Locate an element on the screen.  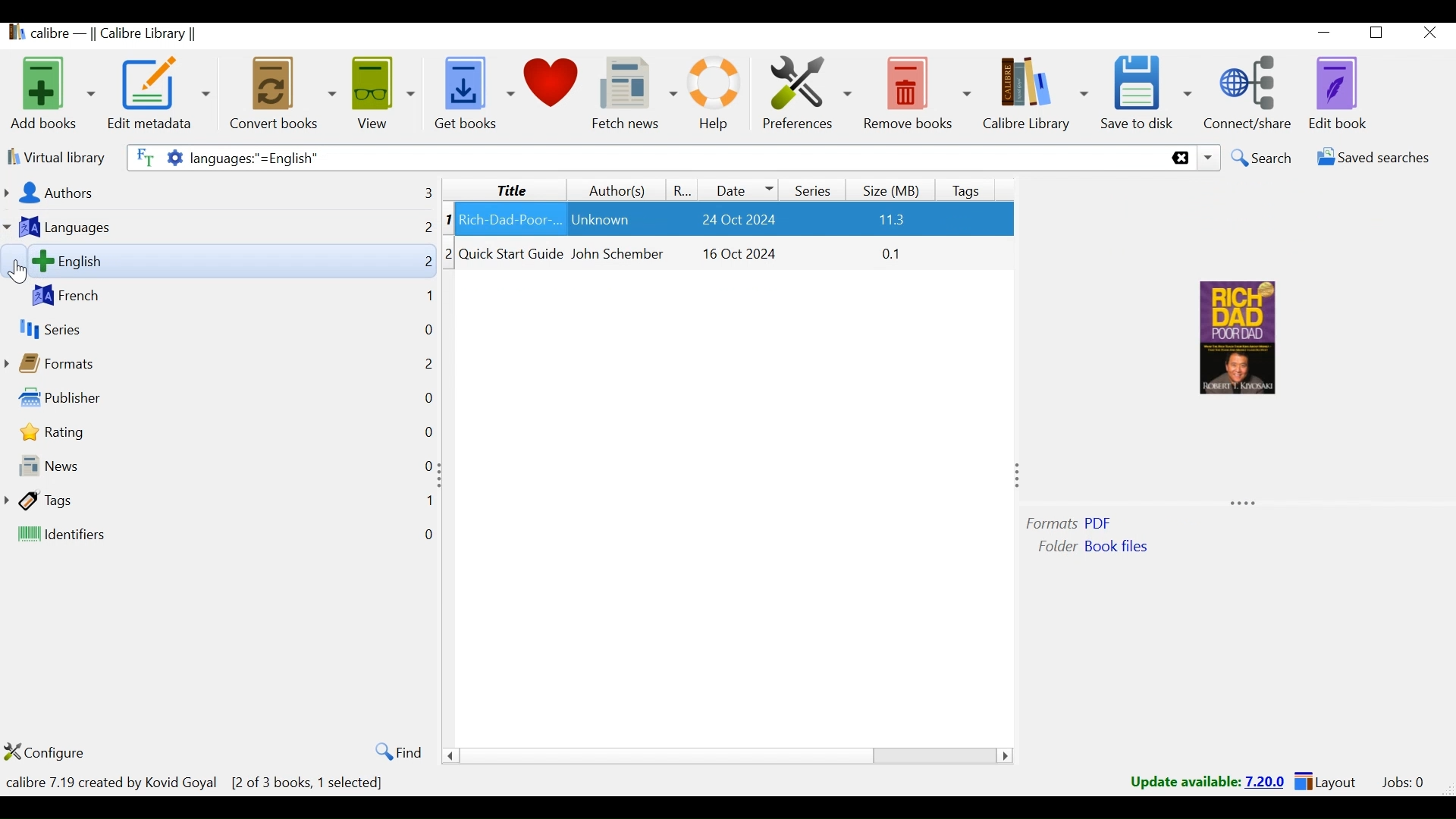
Calibre Library is located at coordinates (1034, 94).